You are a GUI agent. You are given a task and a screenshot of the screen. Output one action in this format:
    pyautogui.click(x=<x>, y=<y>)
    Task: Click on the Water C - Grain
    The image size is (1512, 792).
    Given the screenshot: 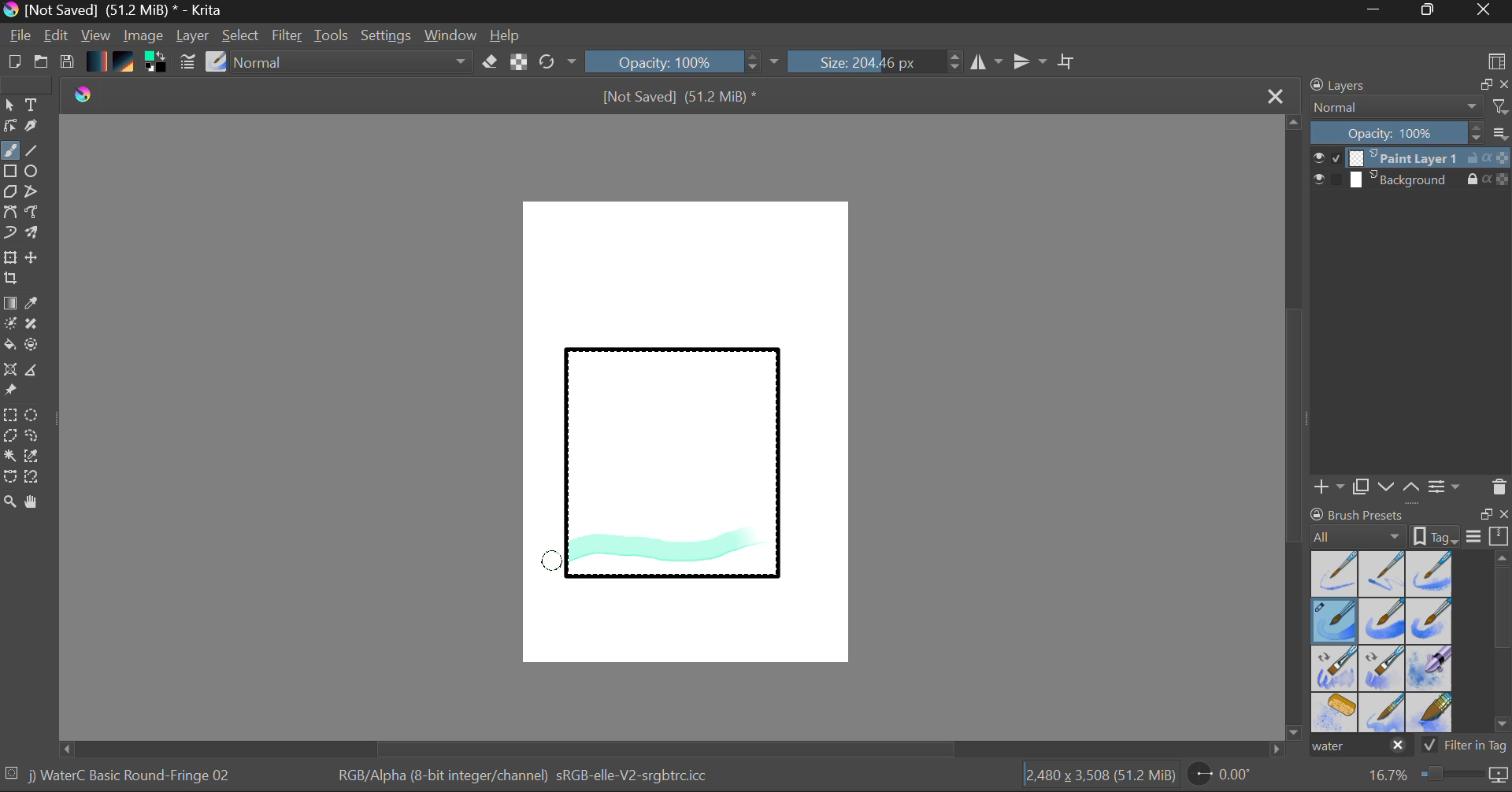 What is the action you would take?
    pyautogui.click(x=1383, y=622)
    